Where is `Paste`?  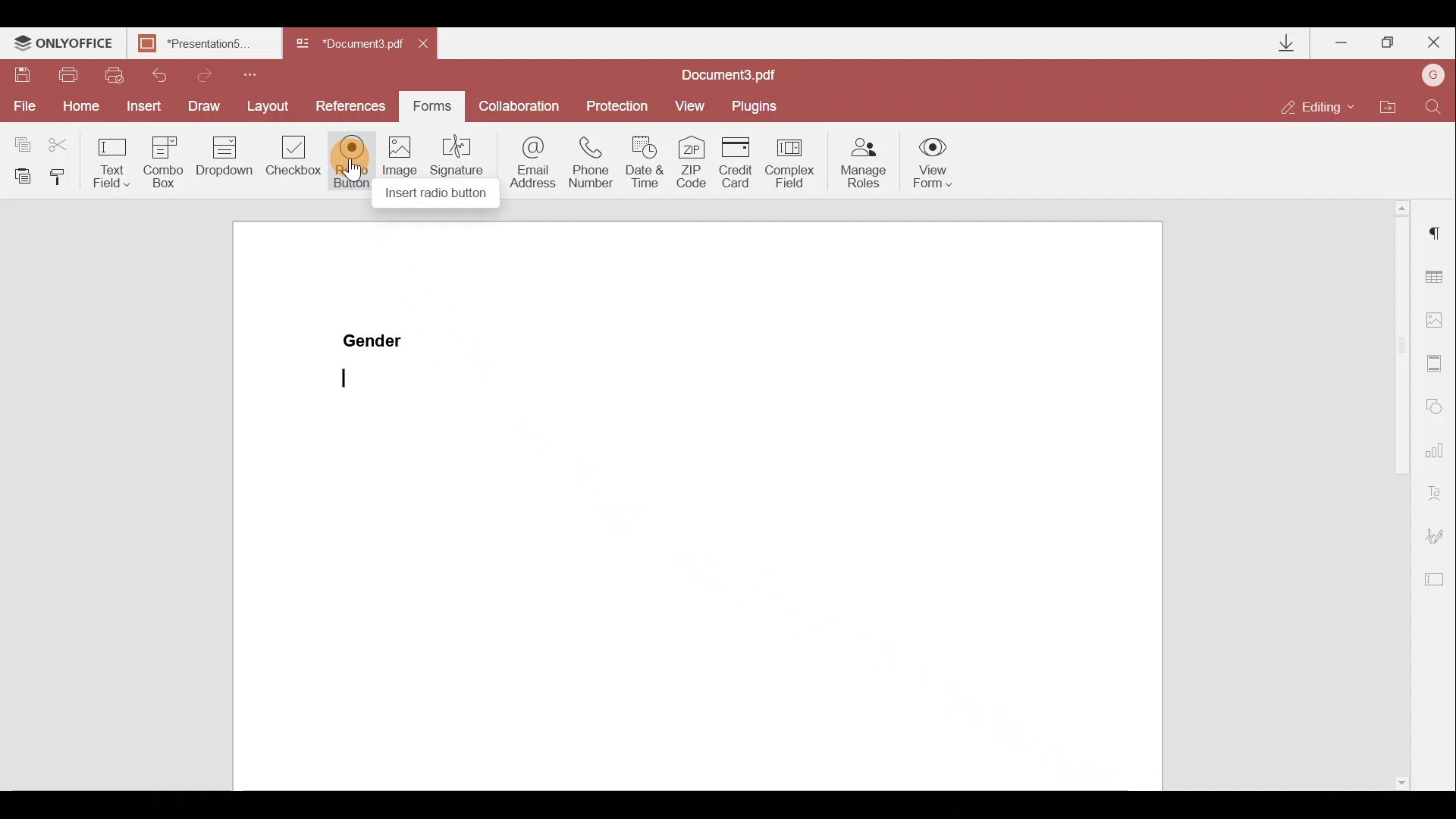 Paste is located at coordinates (20, 174).